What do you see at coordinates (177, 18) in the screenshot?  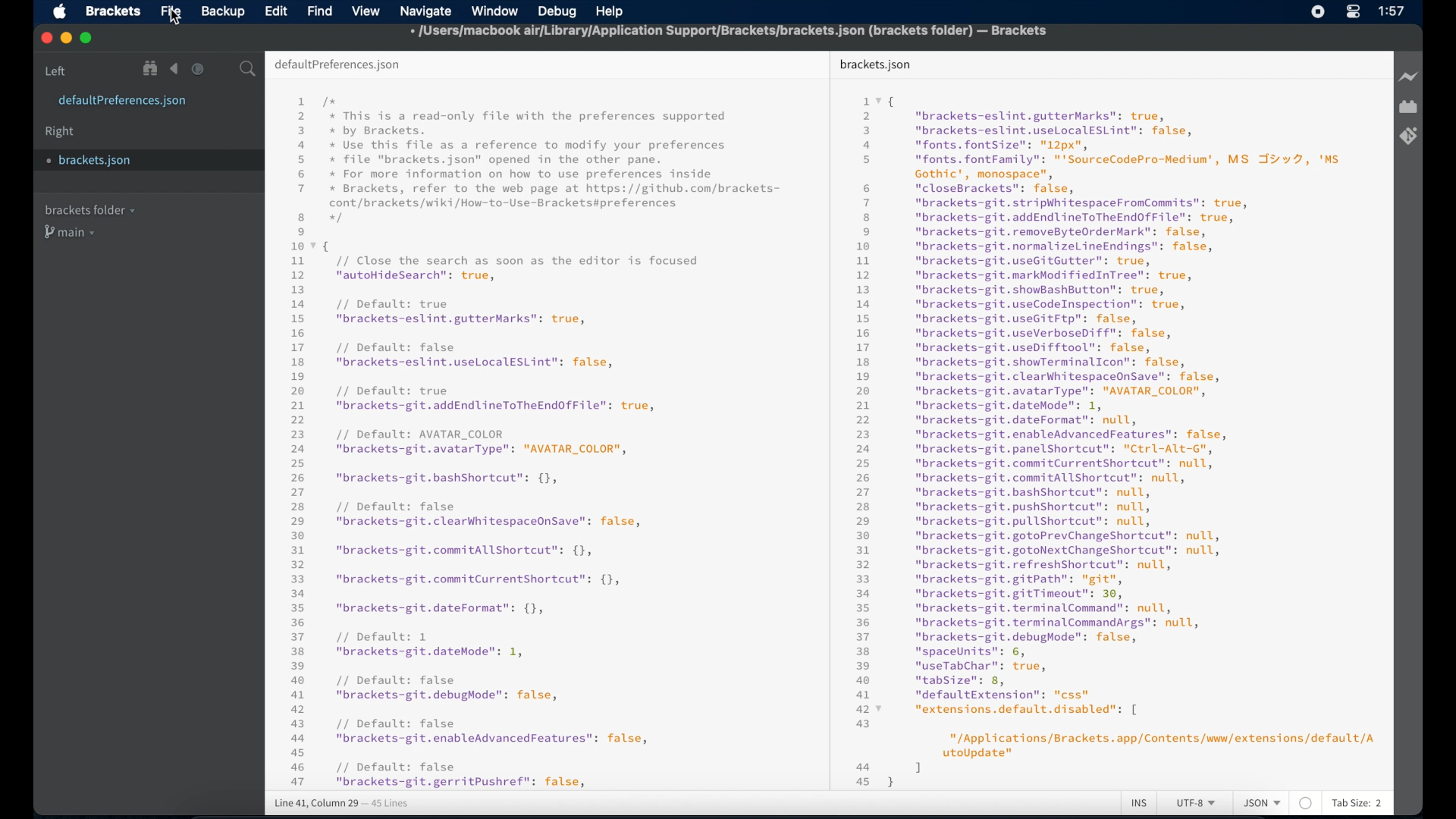 I see `cursor` at bounding box center [177, 18].